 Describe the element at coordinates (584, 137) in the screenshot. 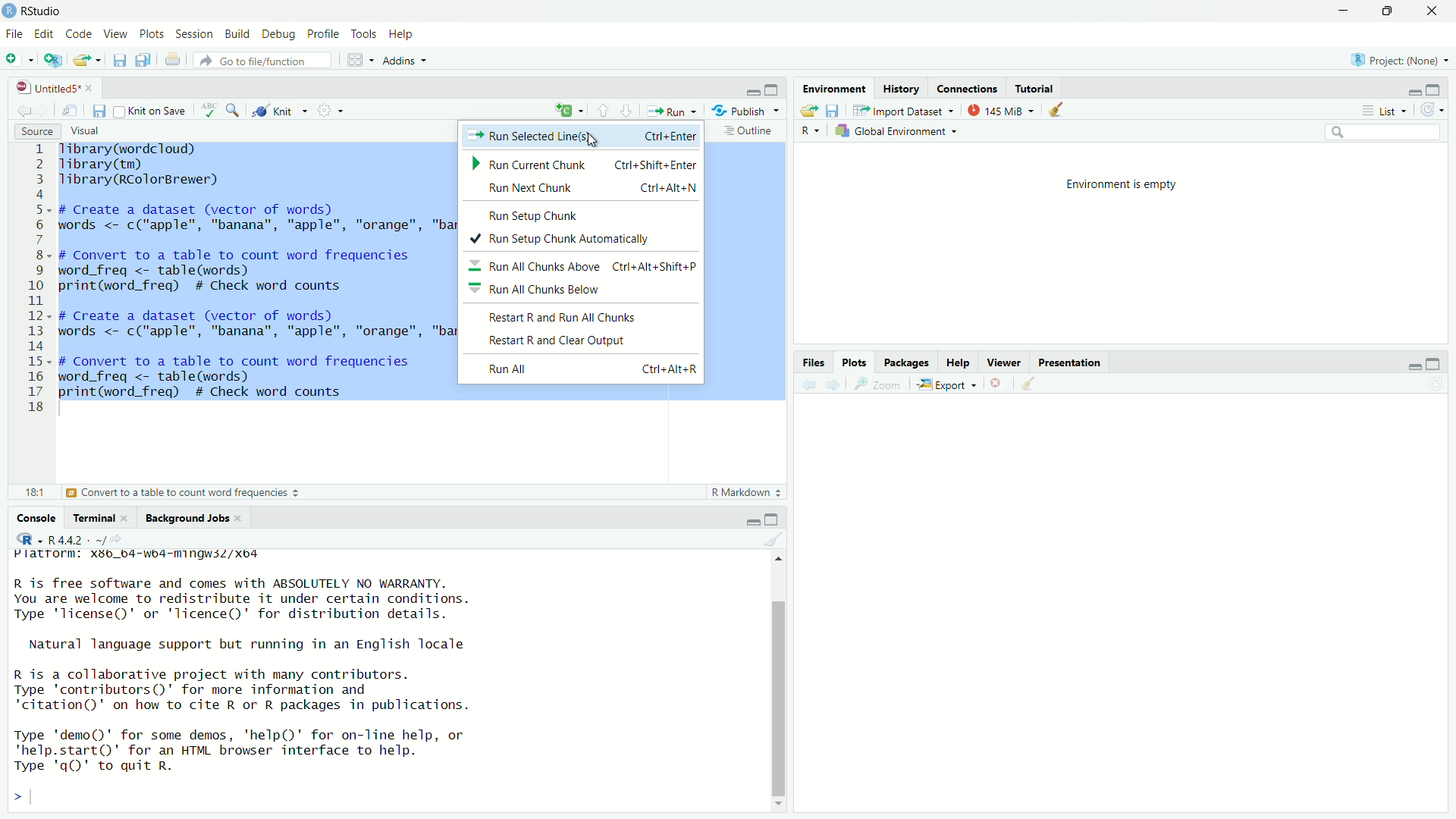

I see `Run Selected Line's` at that location.